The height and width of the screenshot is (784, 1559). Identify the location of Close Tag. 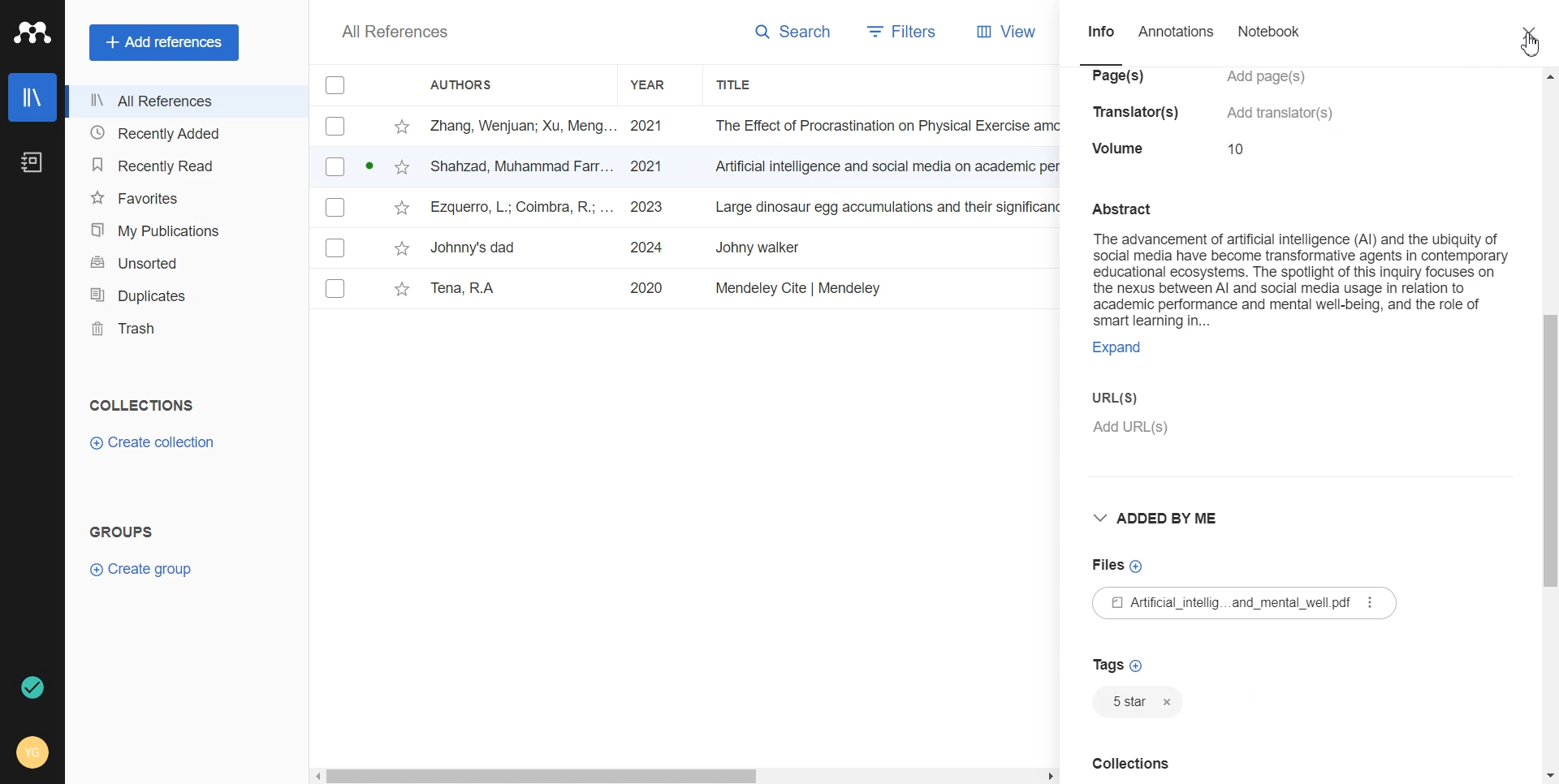
(1169, 704).